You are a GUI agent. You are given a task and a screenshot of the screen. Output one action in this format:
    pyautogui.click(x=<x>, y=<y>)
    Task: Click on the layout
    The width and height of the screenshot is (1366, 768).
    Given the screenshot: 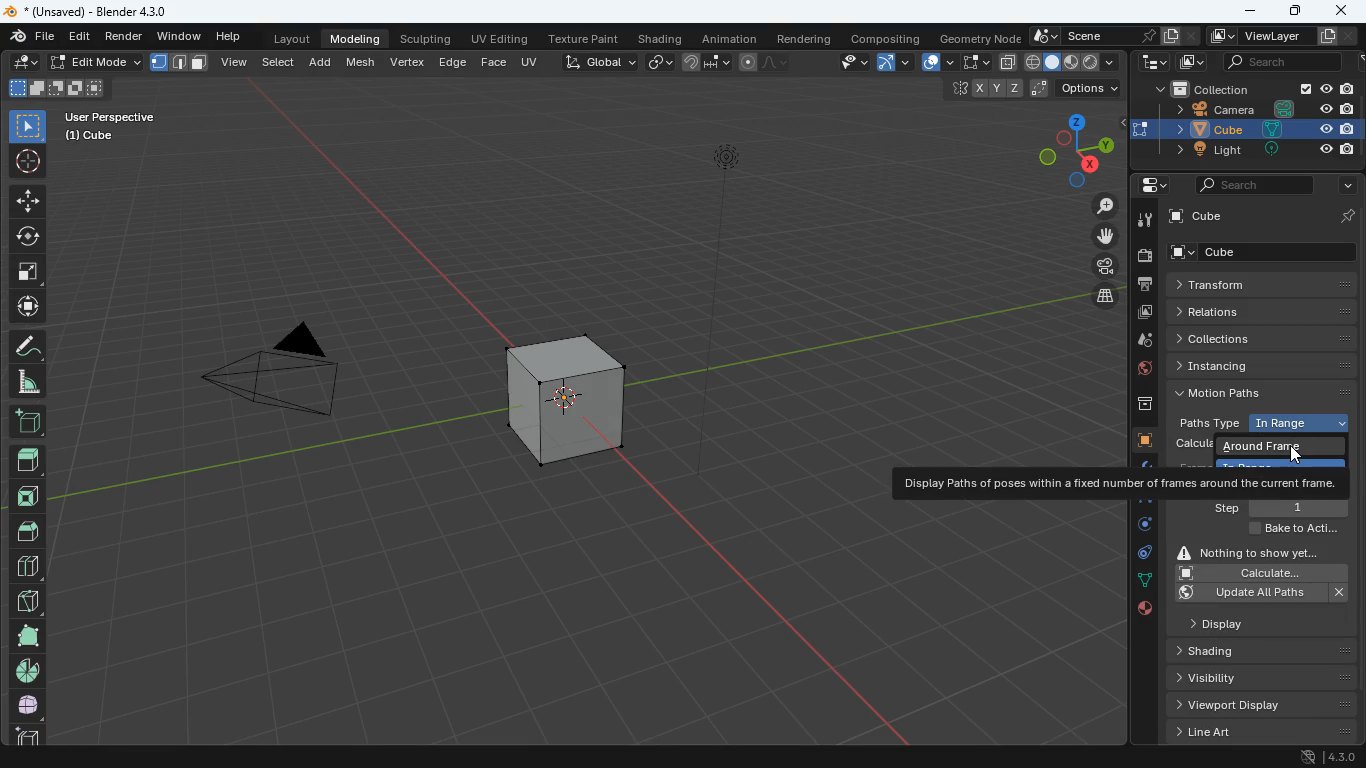 What is the action you would take?
    pyautogui.click(x=1074, y=63)
    